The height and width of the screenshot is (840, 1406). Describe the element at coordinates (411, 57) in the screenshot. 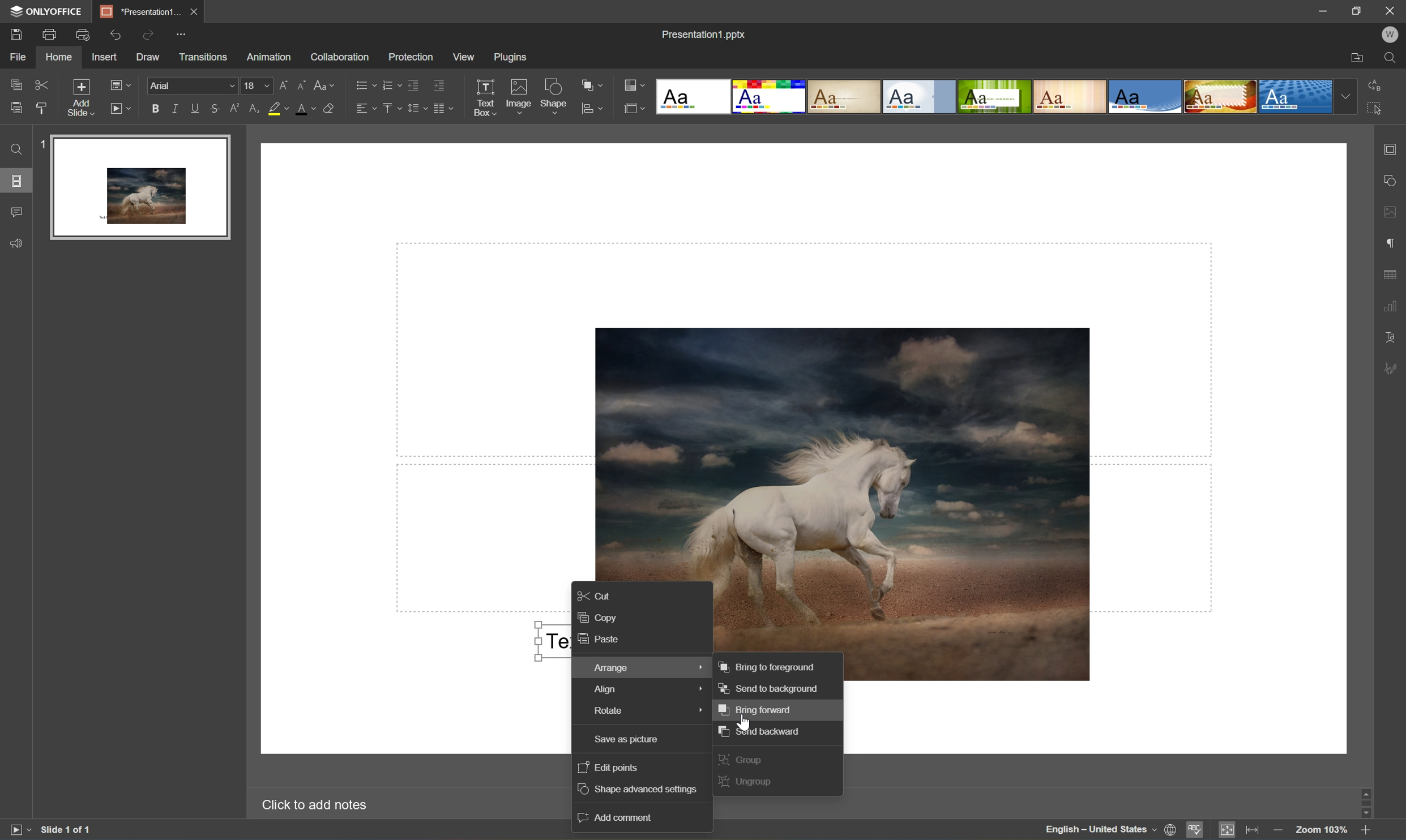

I see `Protection` at that location.